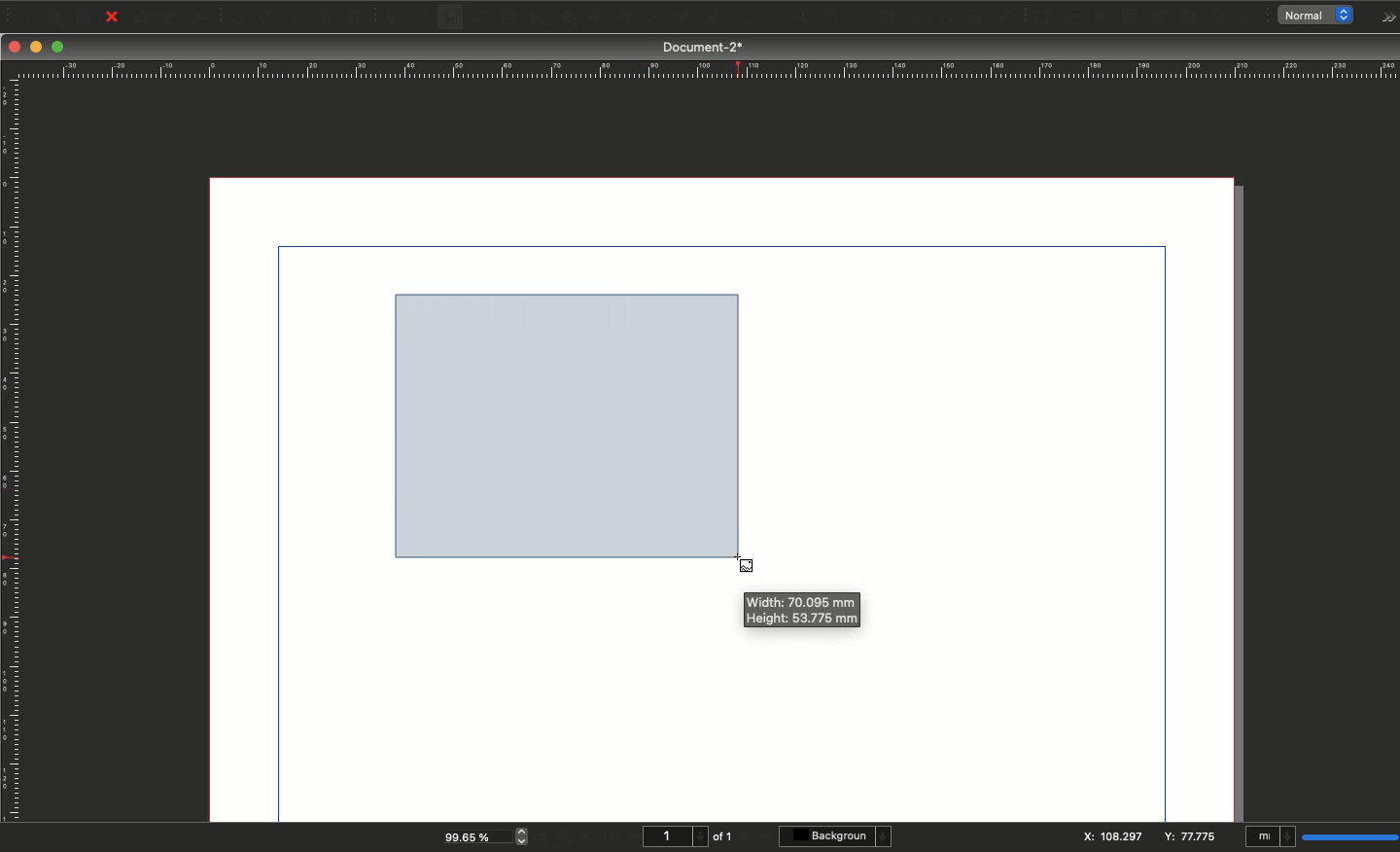 The width and height of the screenshot is (1400, 852). Describe the element at coordinates (237, 18) in the screenshot. I see `Undo` at that location.